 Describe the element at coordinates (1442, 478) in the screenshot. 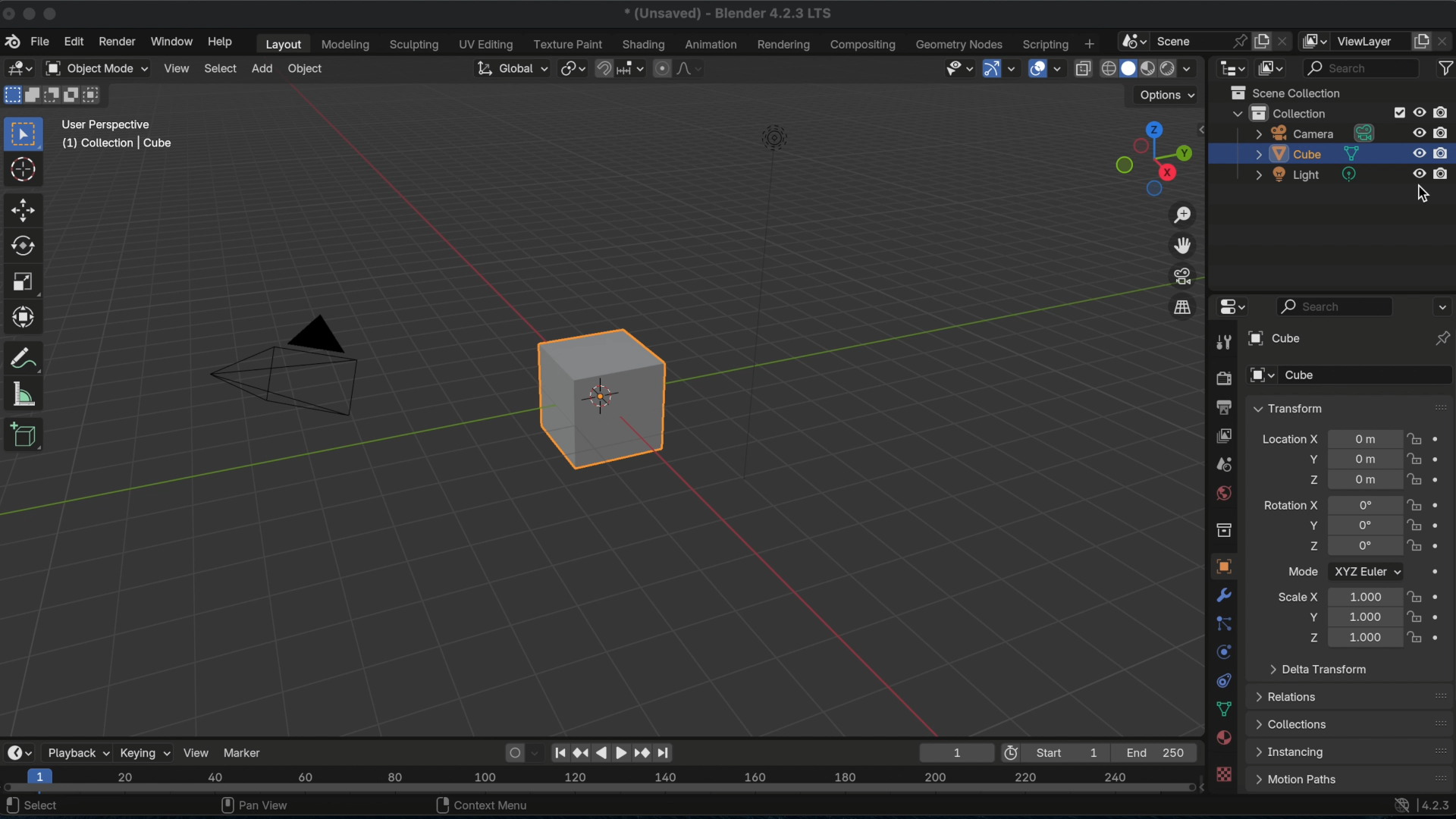

I see `animate property` at that location.